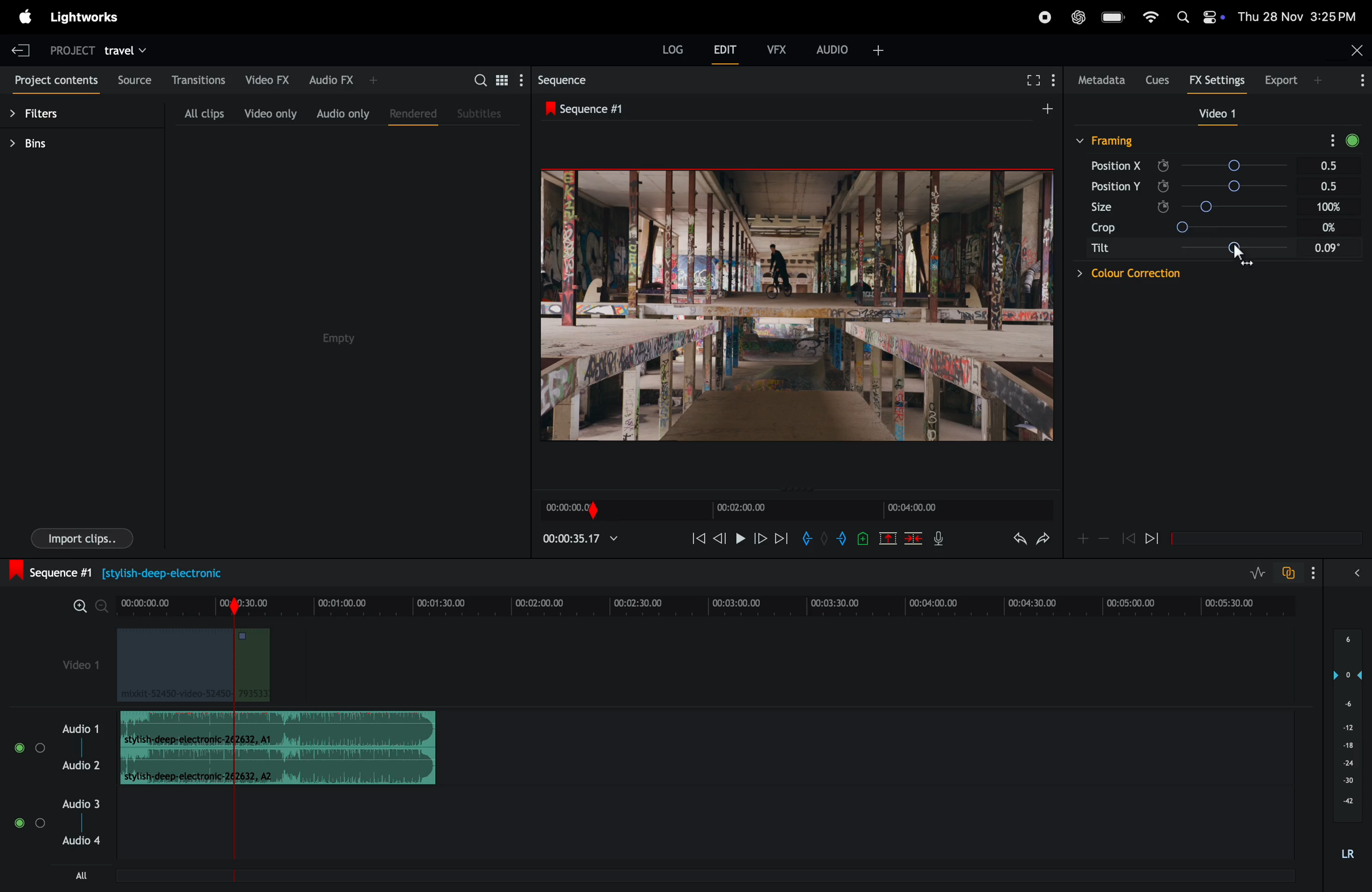  What do you see at coordinates (1148, 18) in the screenshot?
I see `wifi` at bounding box center [1148, 18].